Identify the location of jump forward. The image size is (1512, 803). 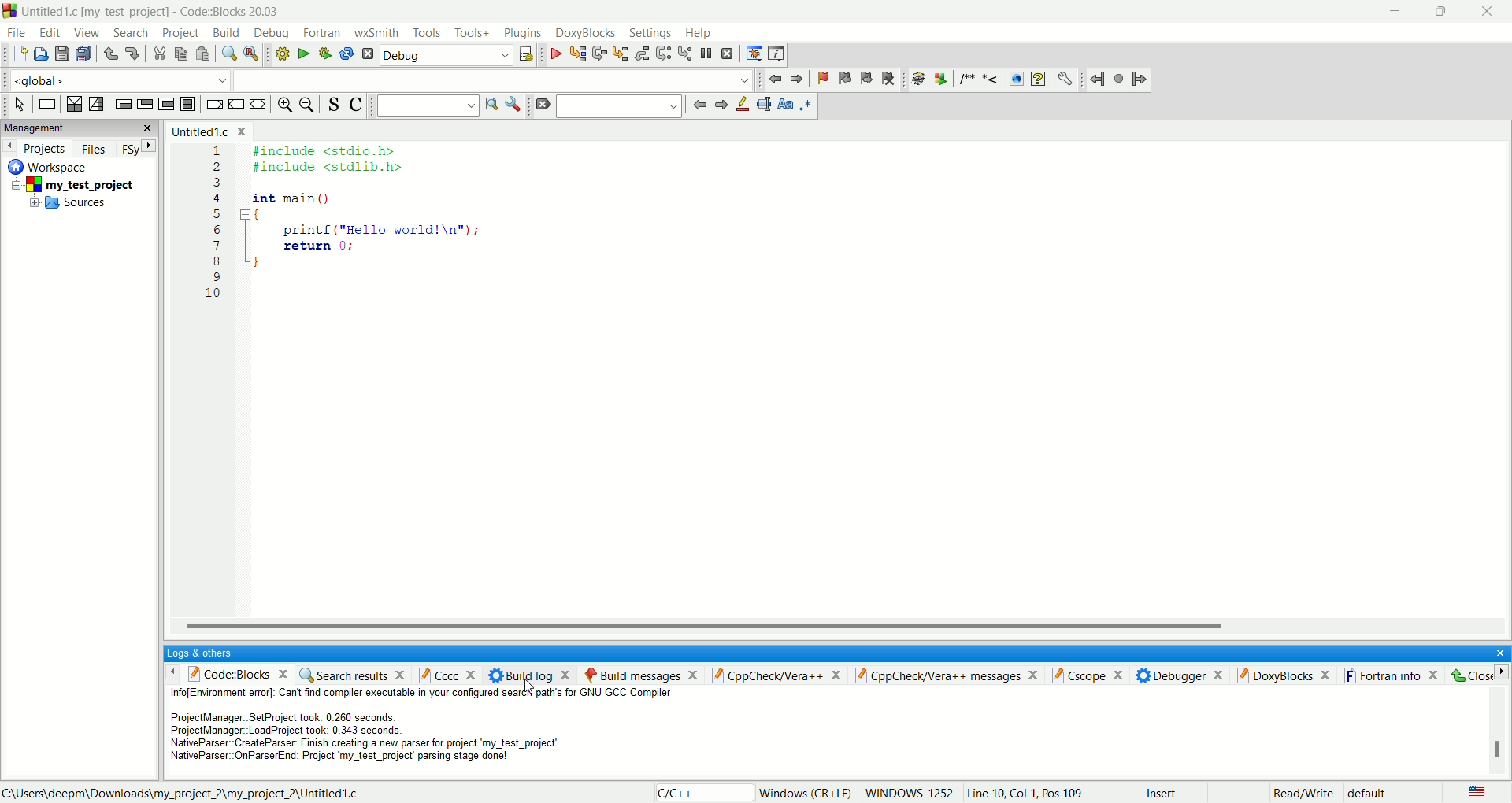
(798, 78).